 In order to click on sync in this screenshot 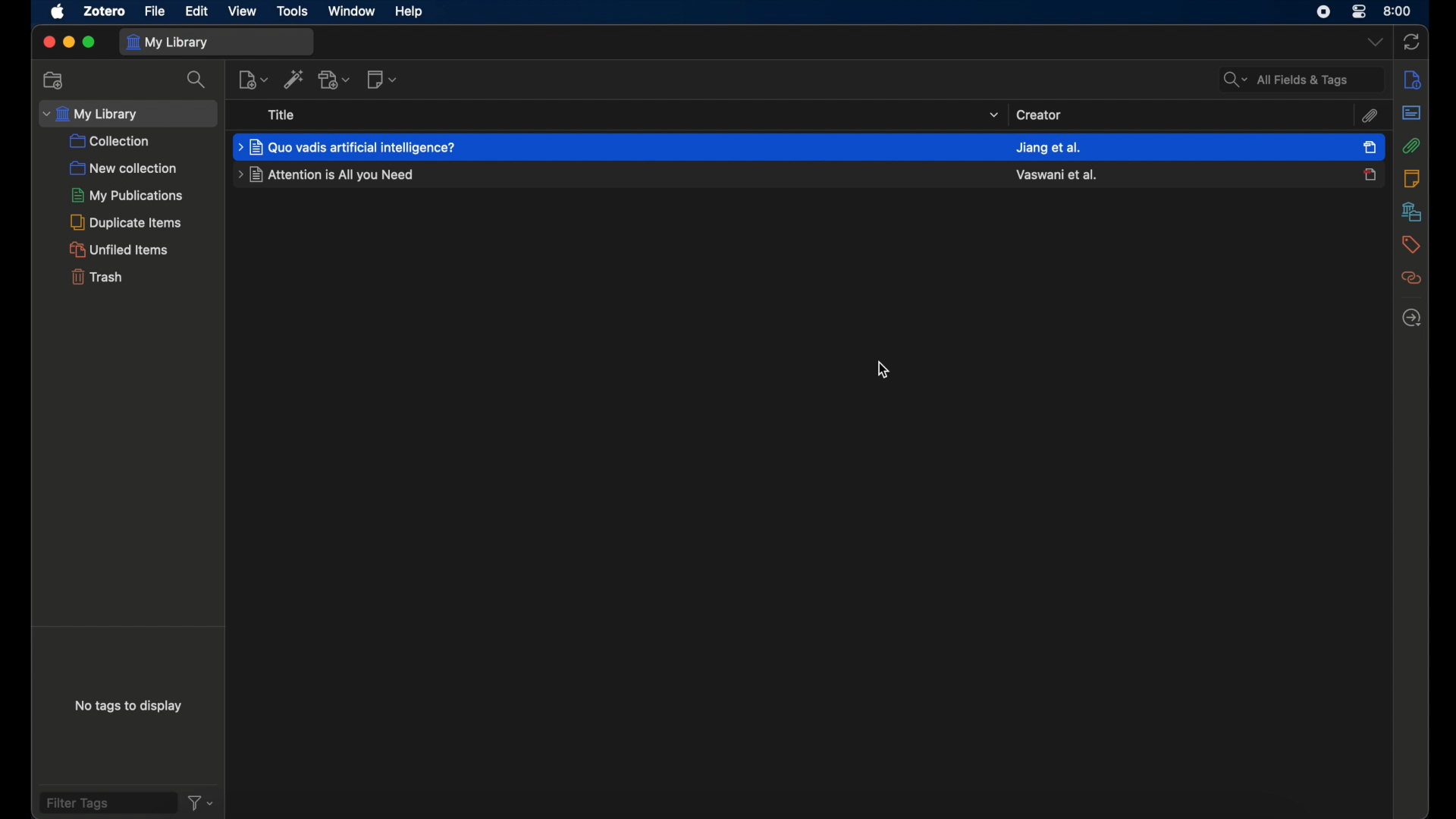, I will do `click(1412, 40)`.